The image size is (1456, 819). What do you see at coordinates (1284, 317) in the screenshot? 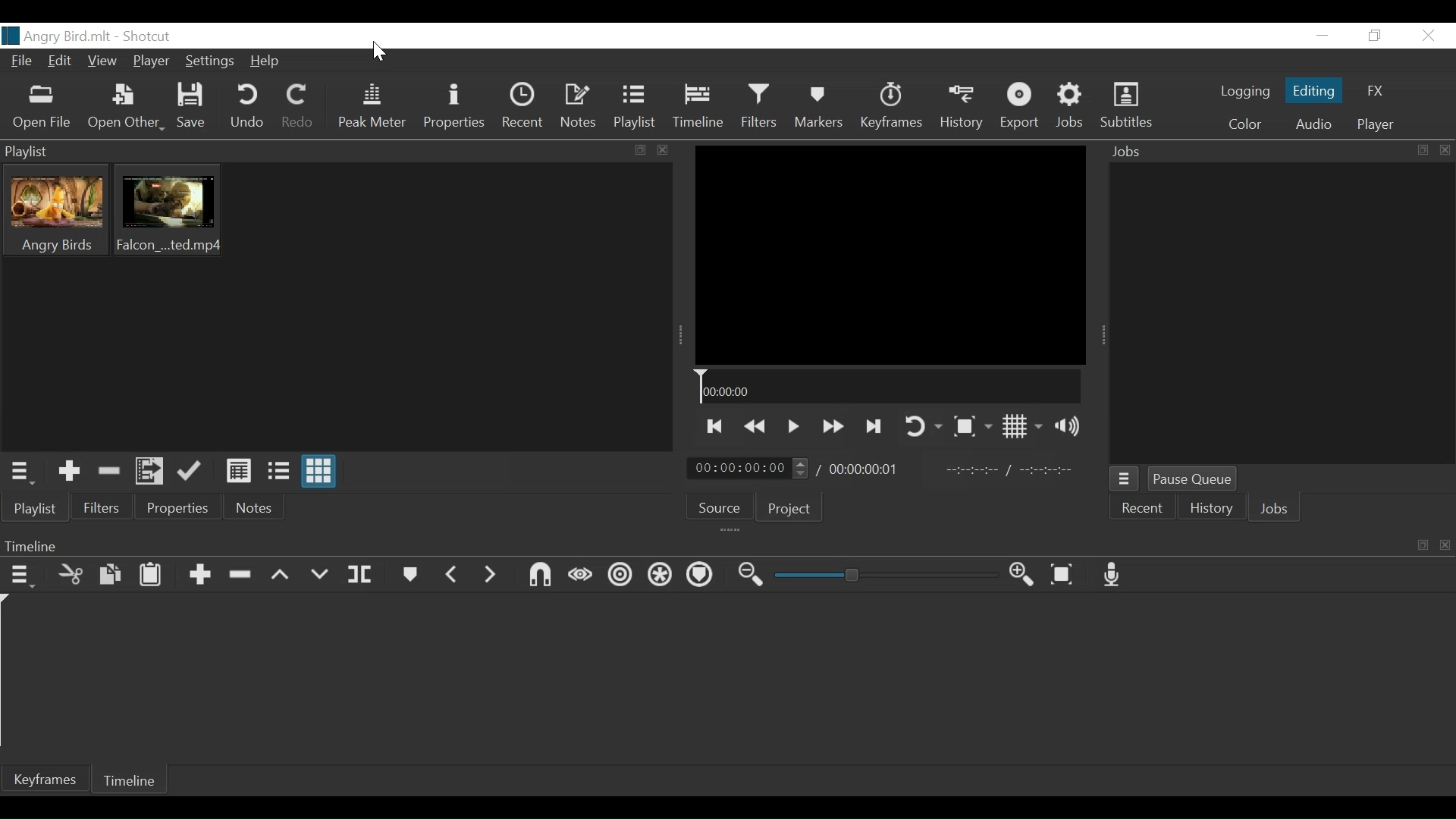
I see `Jobs Panel` at bounding box center [1284, 317].